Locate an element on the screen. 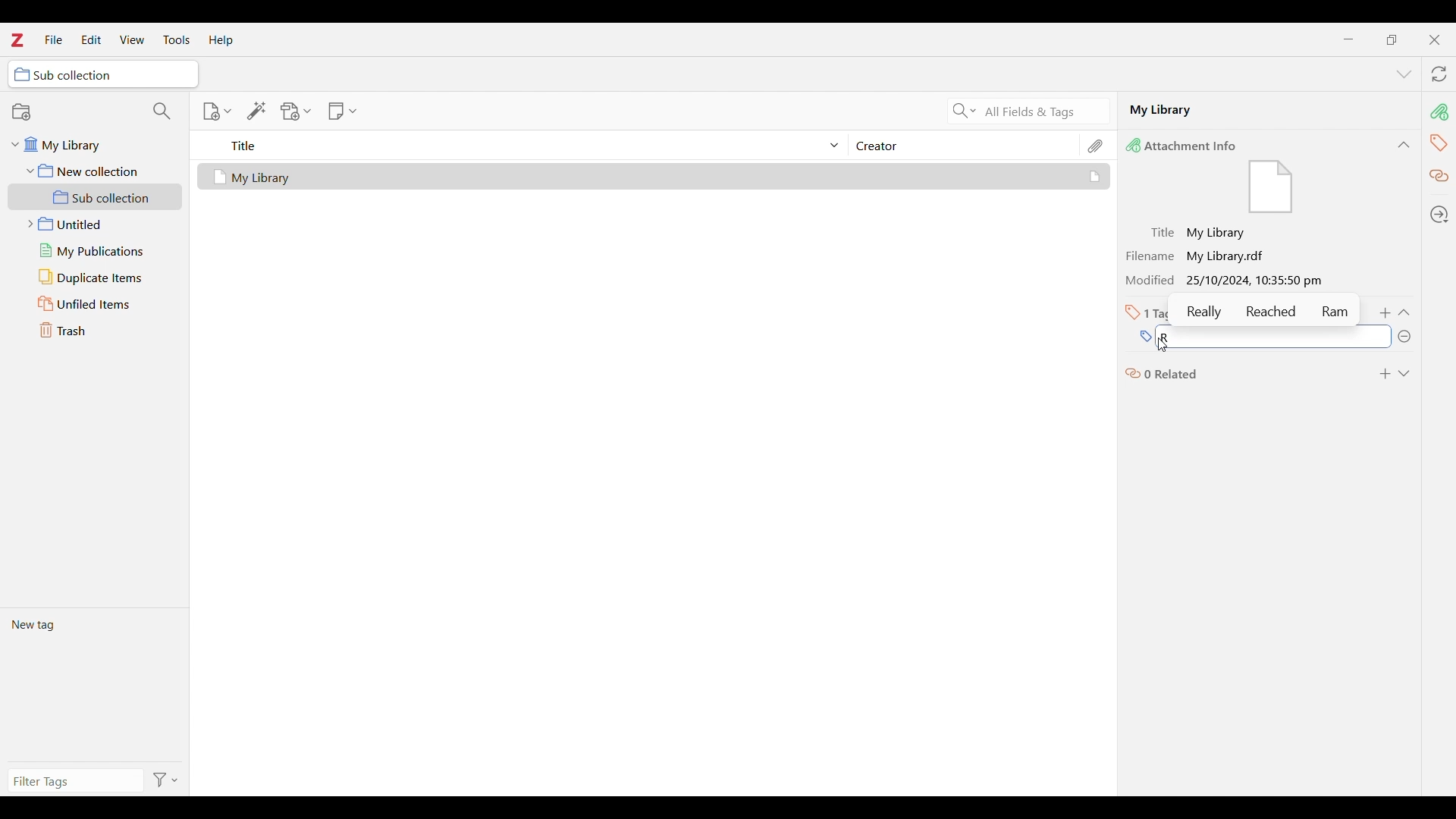 The image size is (1456, 819). Attachments is located at coordinates (1097, 146).